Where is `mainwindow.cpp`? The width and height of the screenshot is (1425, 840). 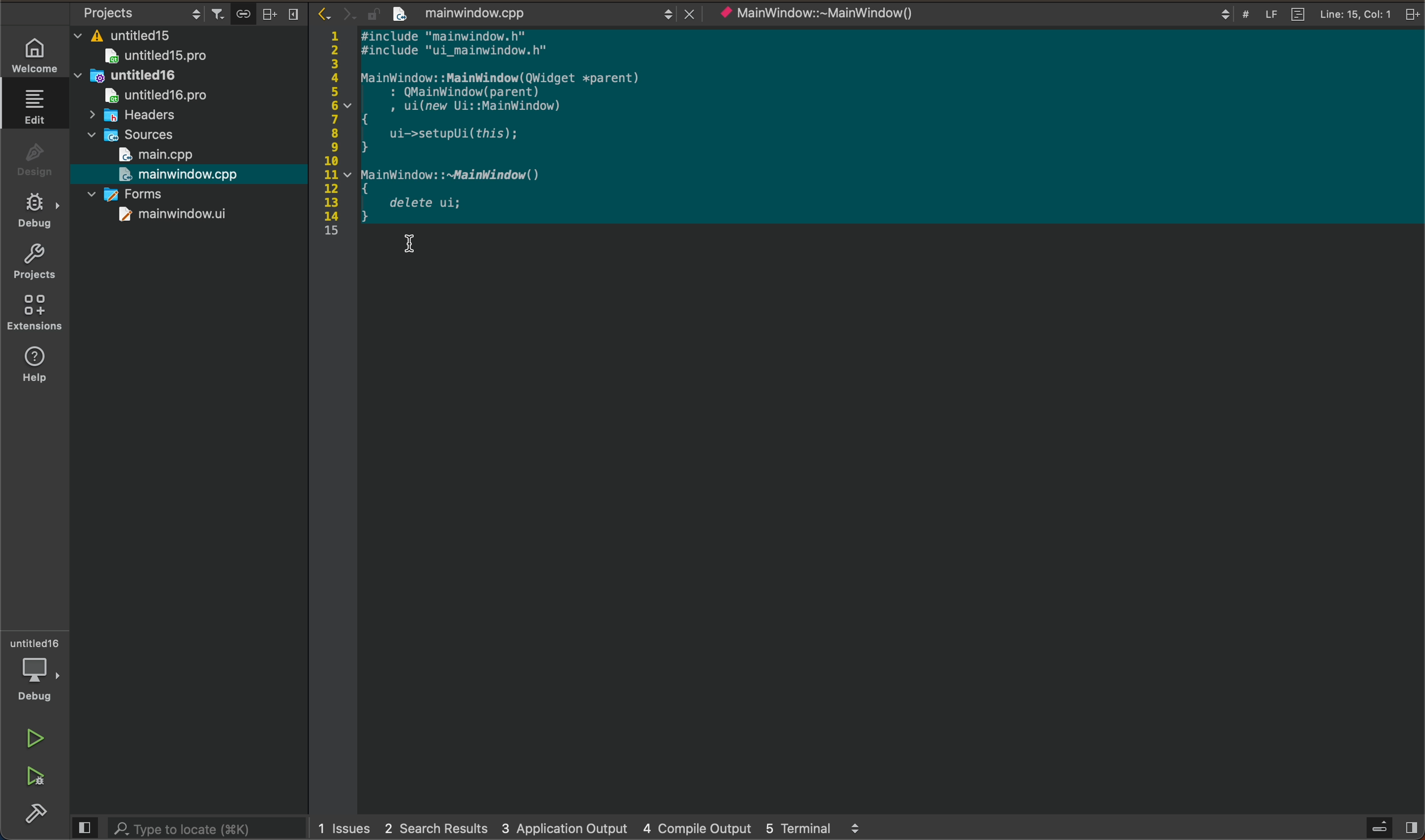
mainwindow.cpp is located at coordinates (545, 14).